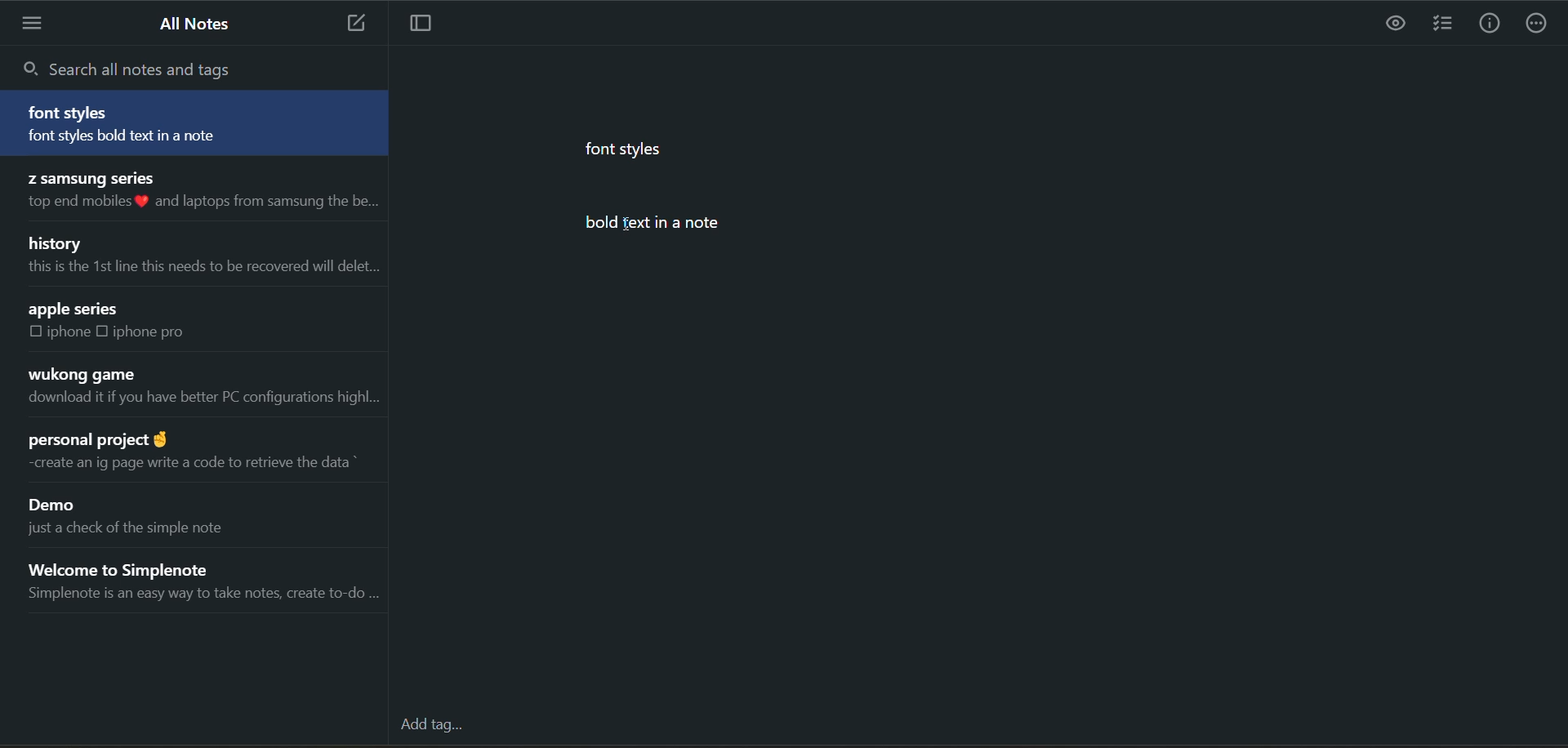 The image size is (1568, 748). Describe the element at coordinates (628, 148) in the screenshot. I see `font styles.` at that location.